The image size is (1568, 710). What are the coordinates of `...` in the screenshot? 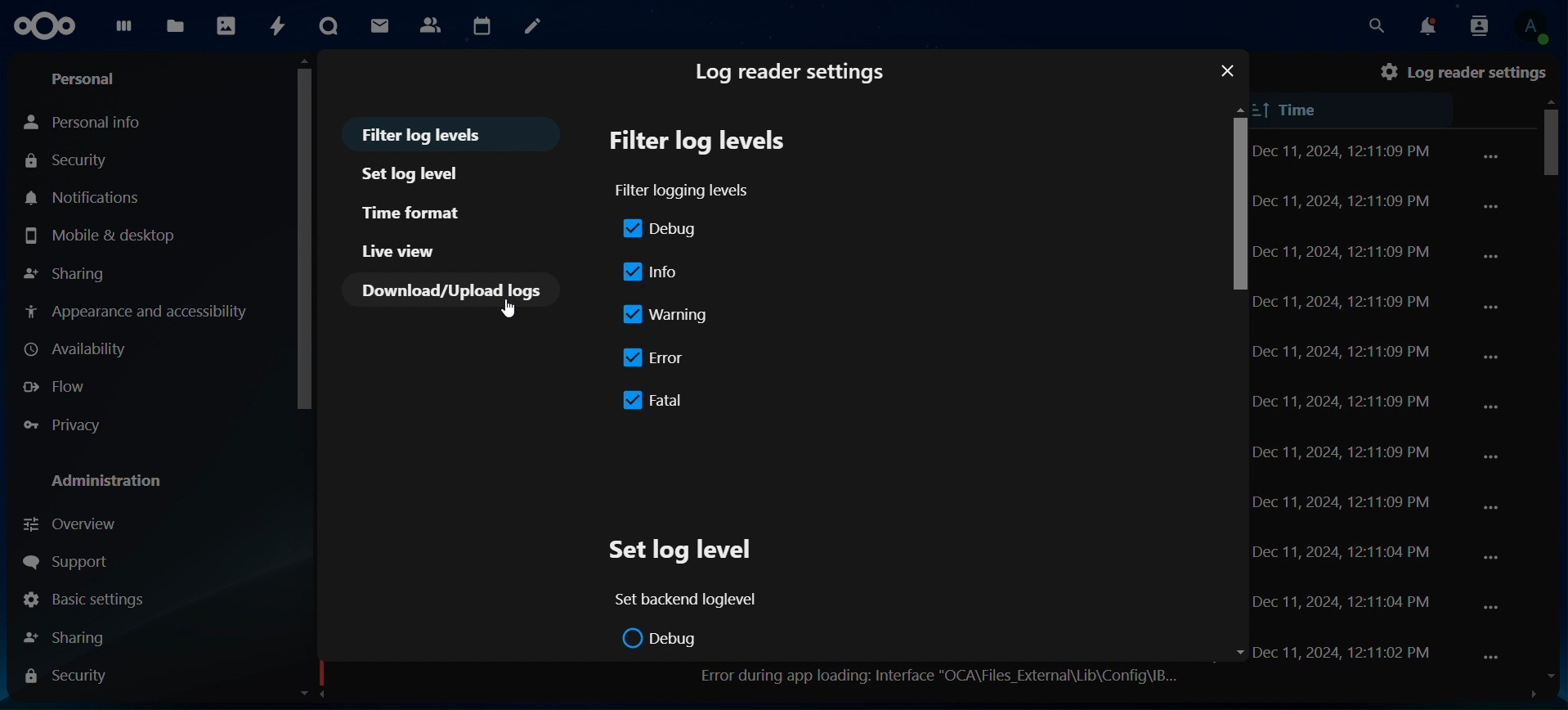 It's located at (1494, 659).